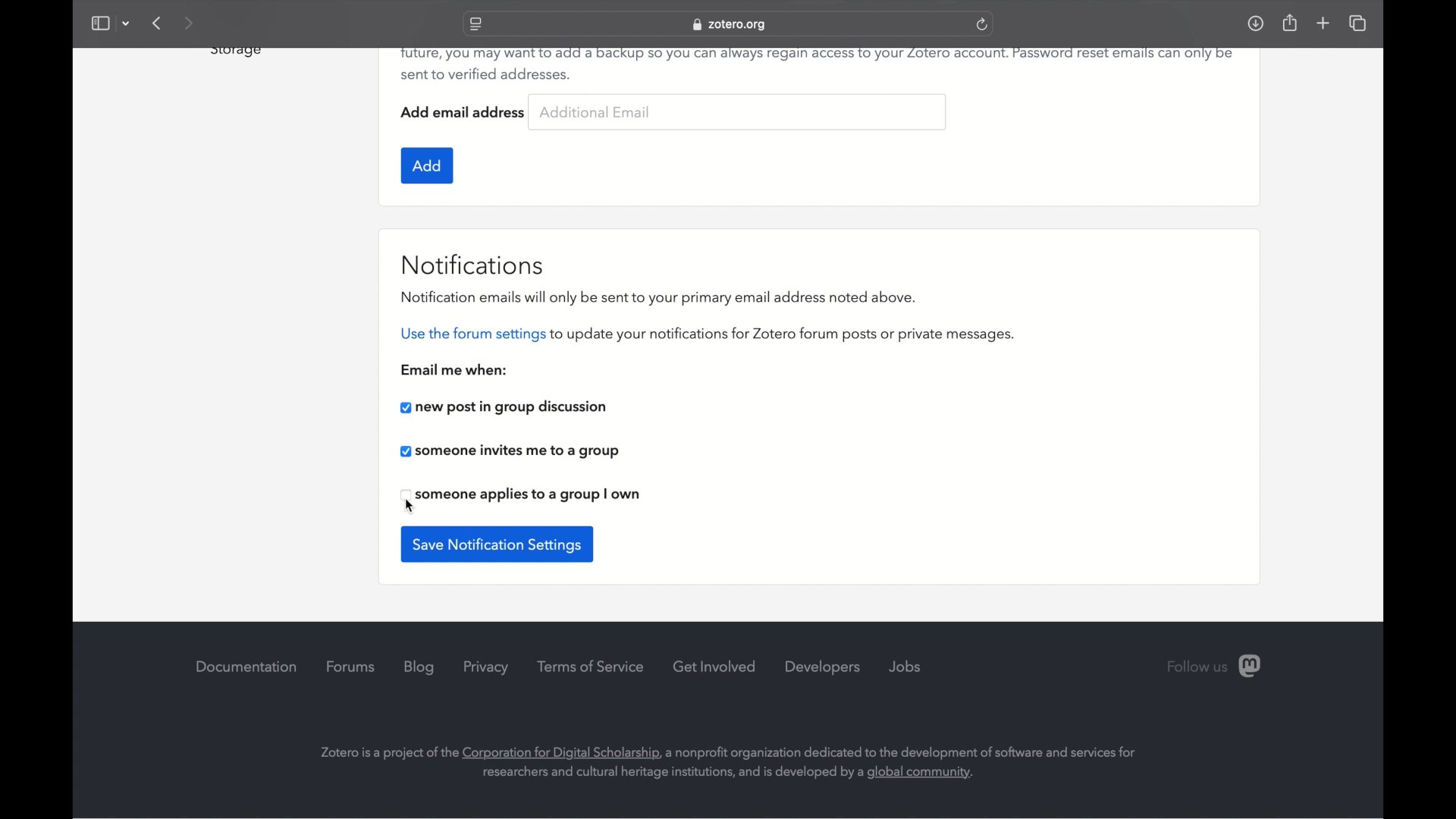  What do you see at coordinates (190, 23) in the screenshot?
I see `next` at bounding box center [190, 23].